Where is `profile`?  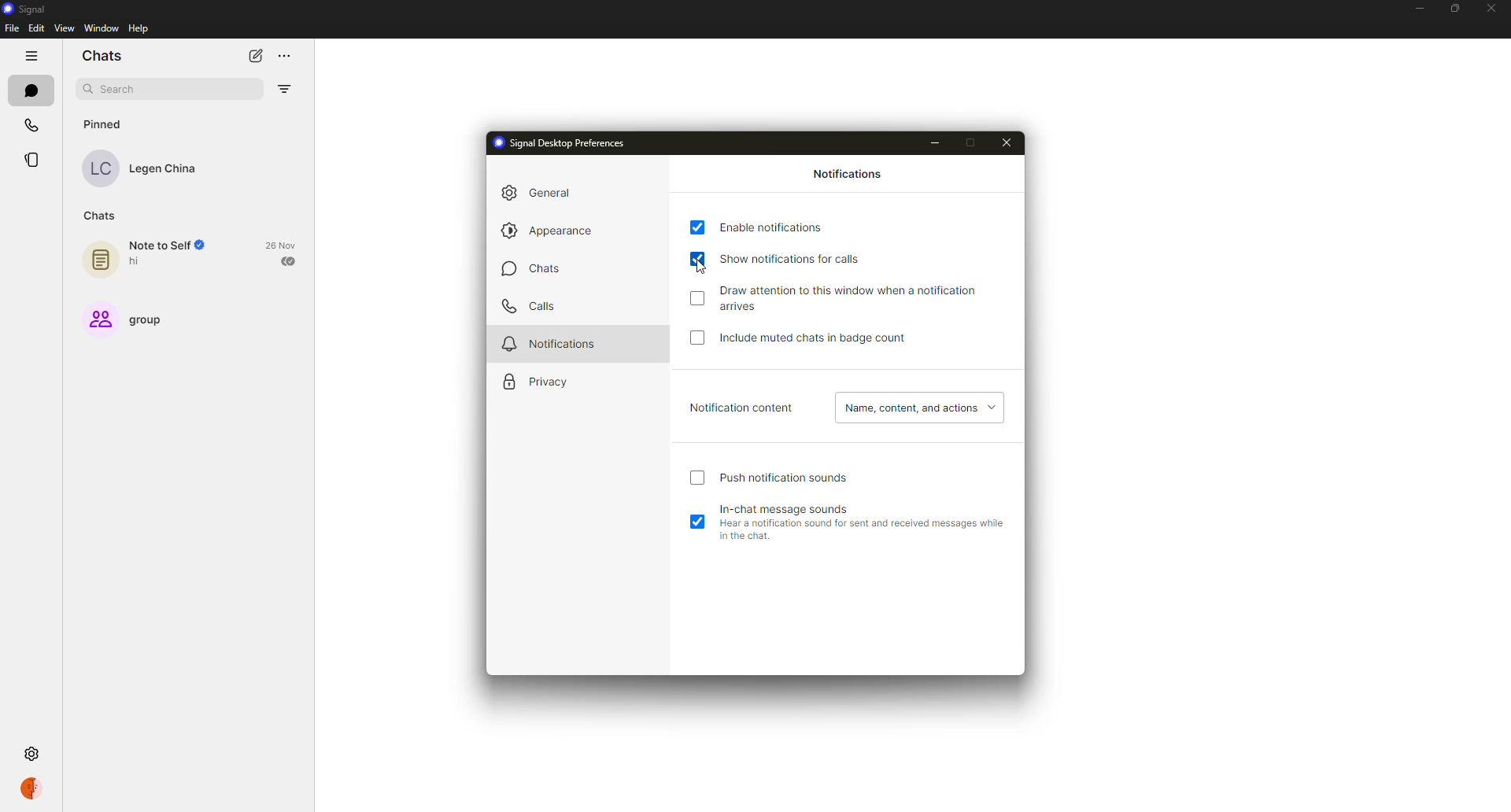 profile is located at coordinates (36, 791).